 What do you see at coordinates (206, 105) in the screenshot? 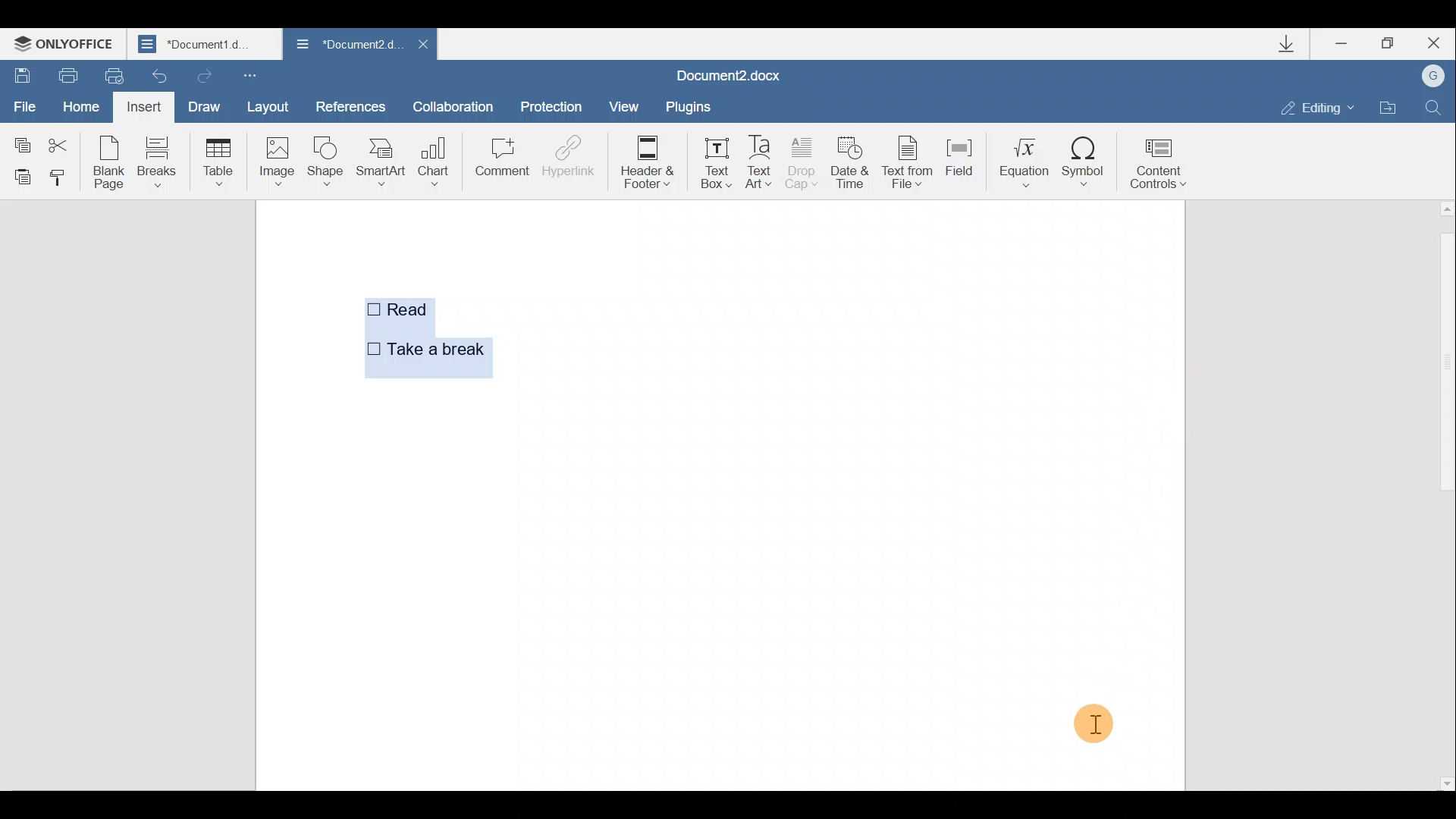
I see `Draw` at bounding box center [206, 105].